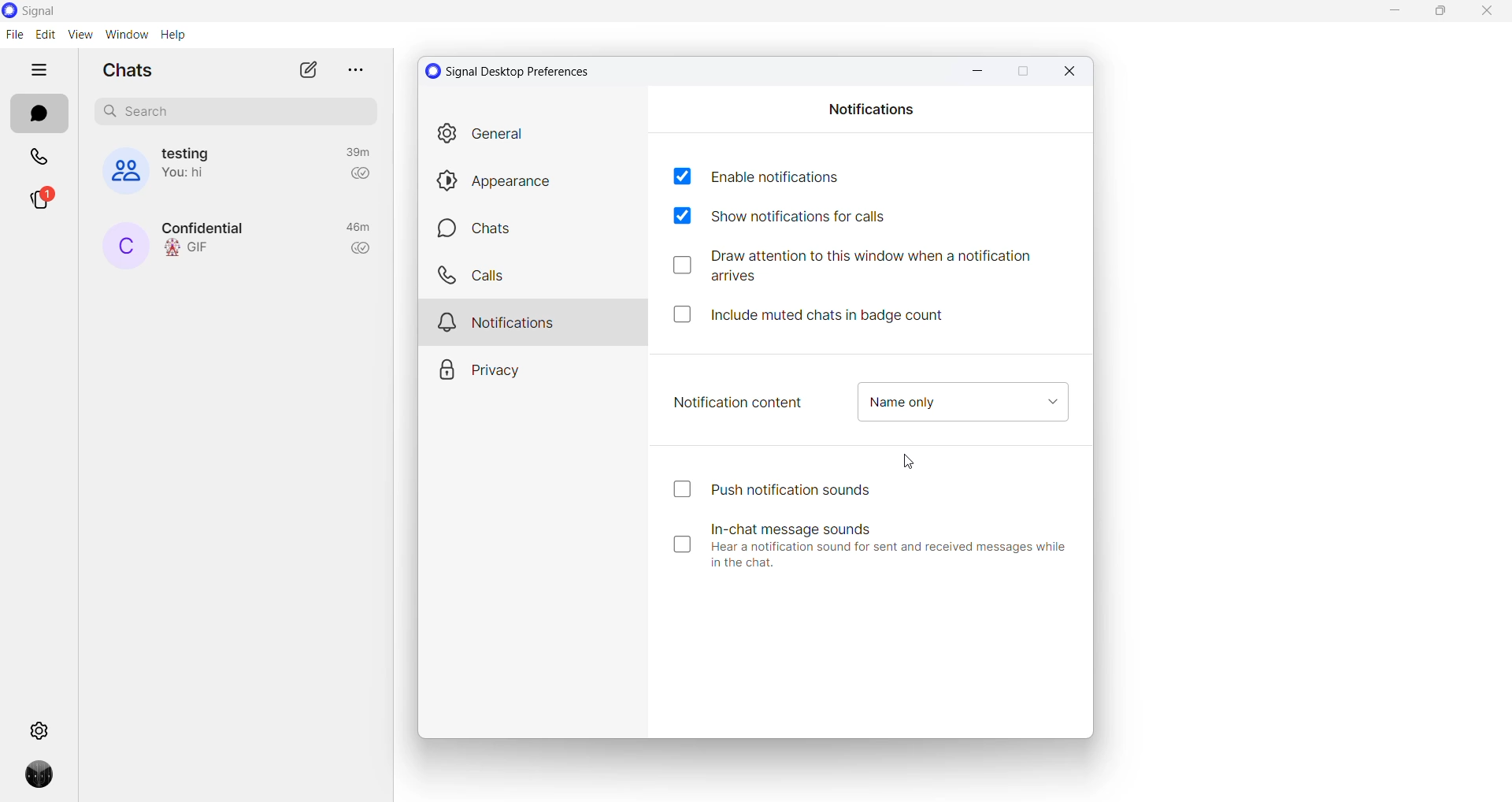 The width and height of the screenshot is (1512, 802). I want to click on contact name, so click(124, 247).